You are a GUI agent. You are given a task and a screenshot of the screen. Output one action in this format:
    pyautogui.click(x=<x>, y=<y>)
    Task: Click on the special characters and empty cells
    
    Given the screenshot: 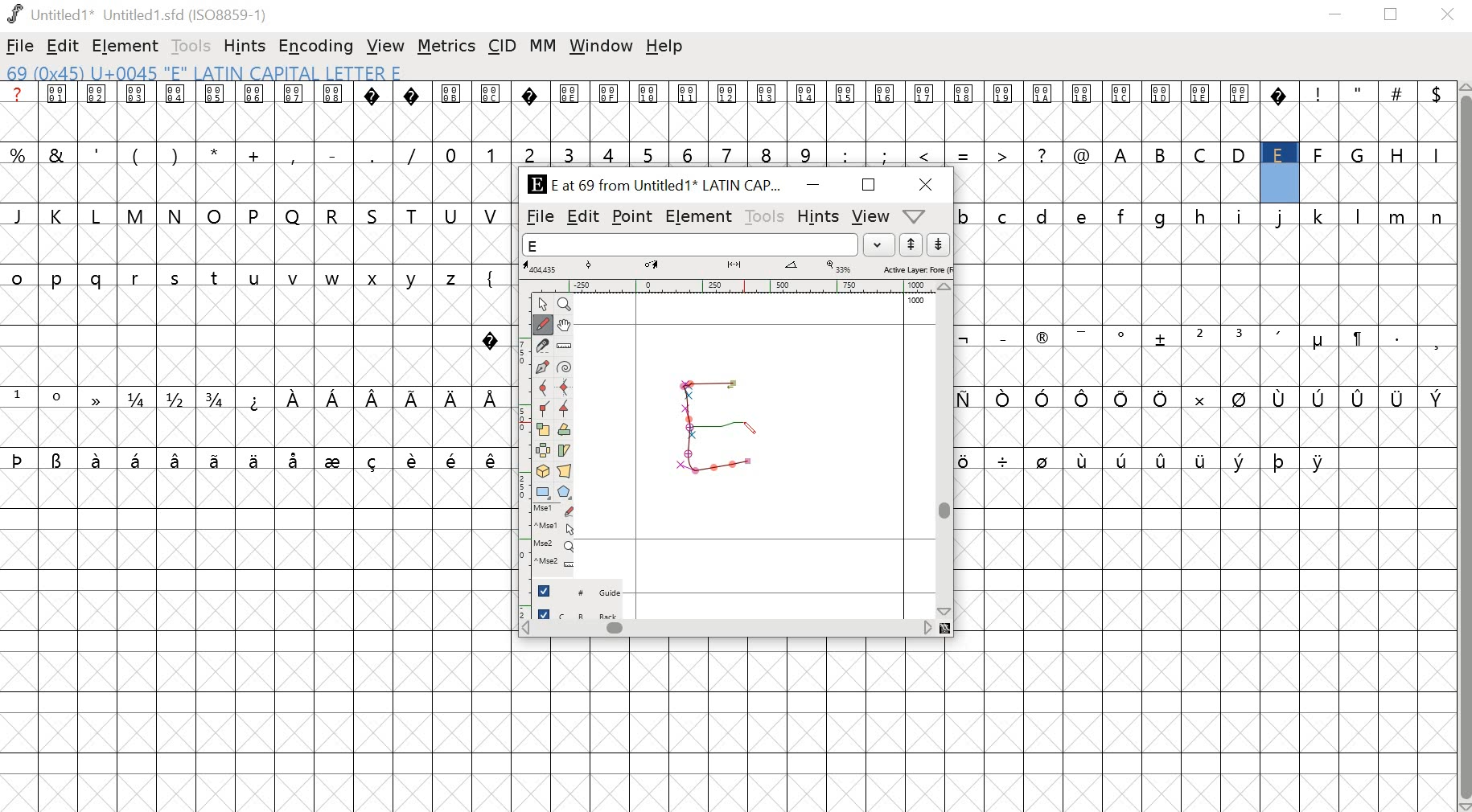 What is the action you would take?
    pyautogui.click(x=1202, y=459)
    